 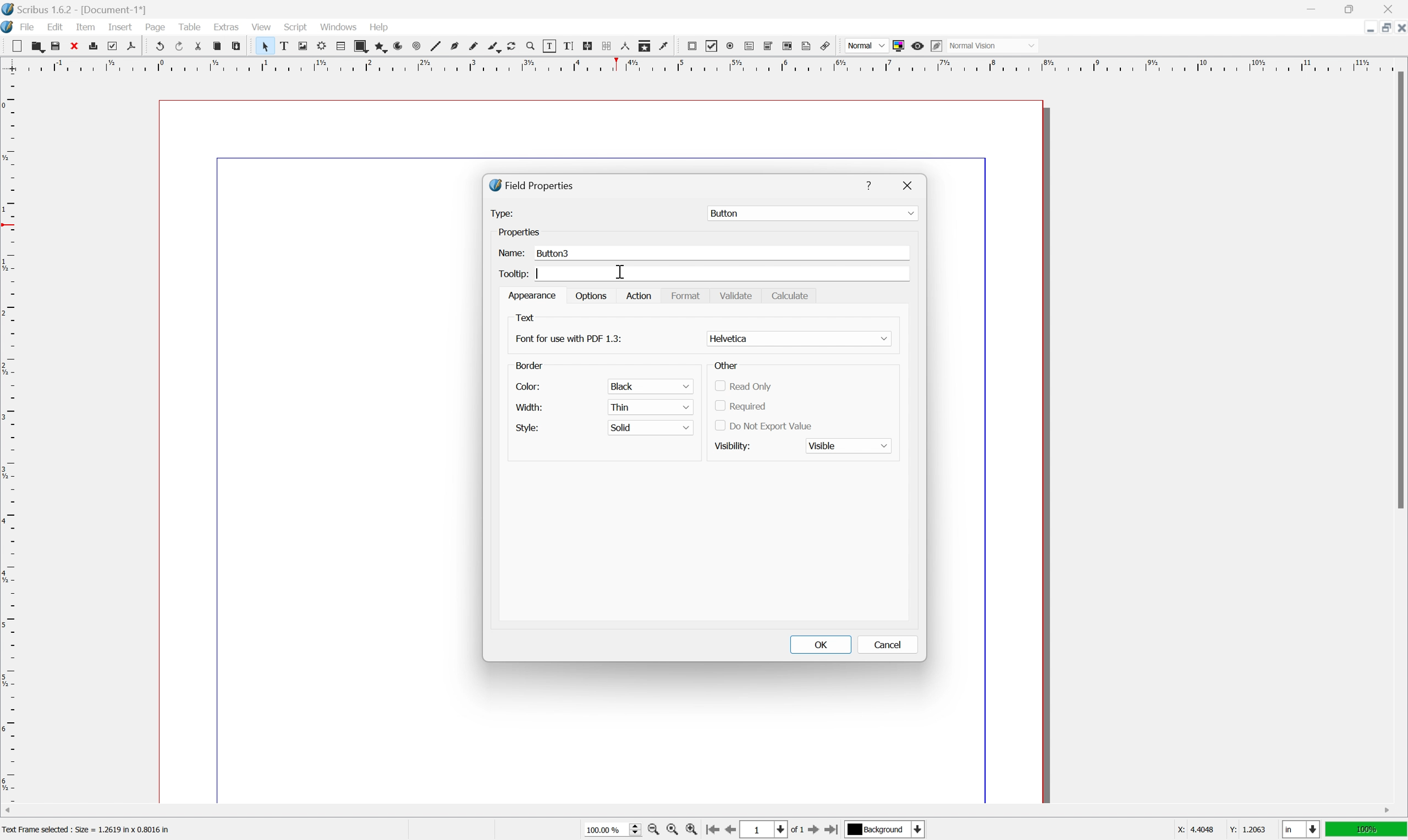 I want to click on windows, so click(x=339, y=27).